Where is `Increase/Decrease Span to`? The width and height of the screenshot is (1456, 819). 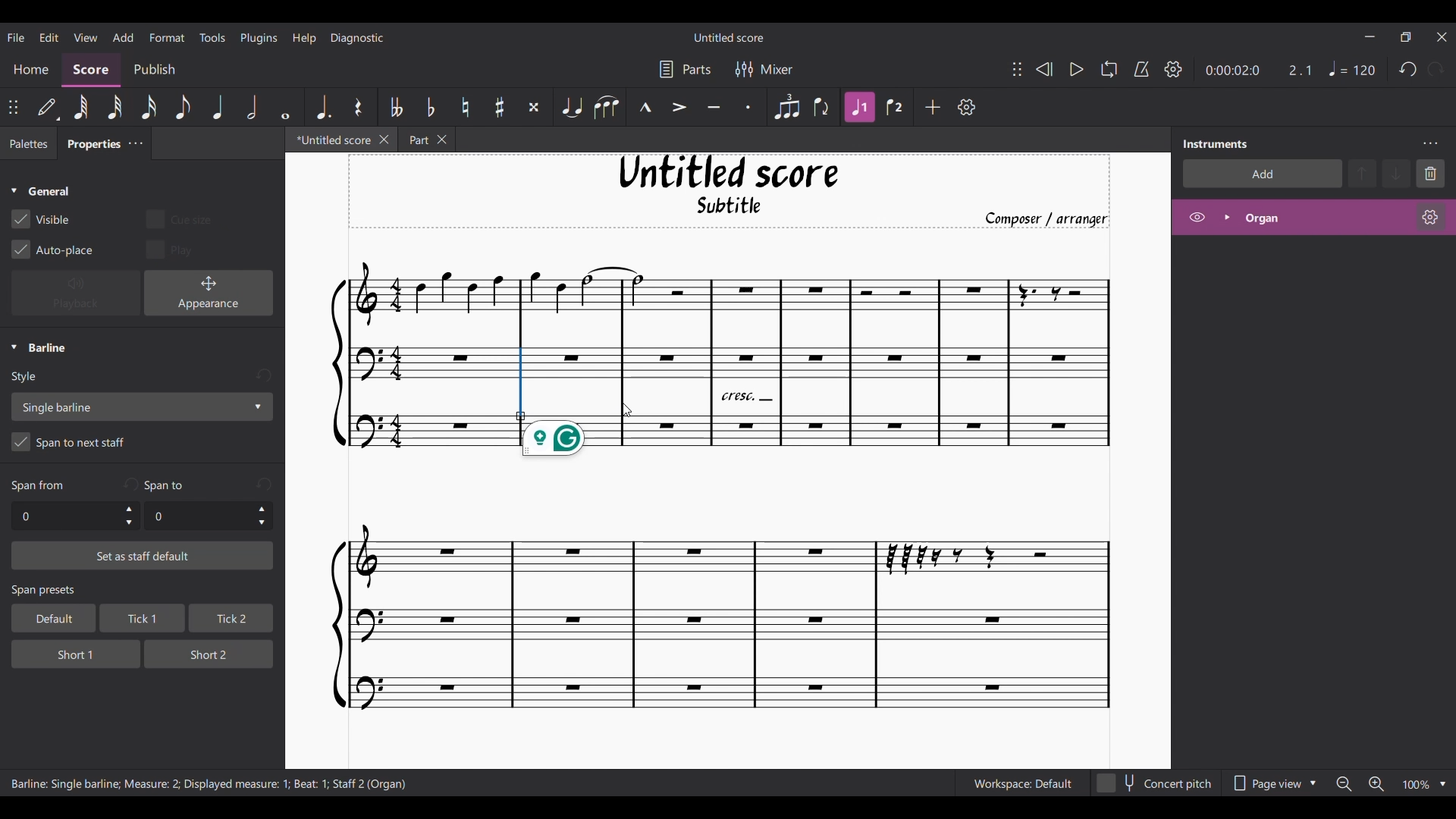 Increase/Decrease Span to is located at coordinates (262, 516).